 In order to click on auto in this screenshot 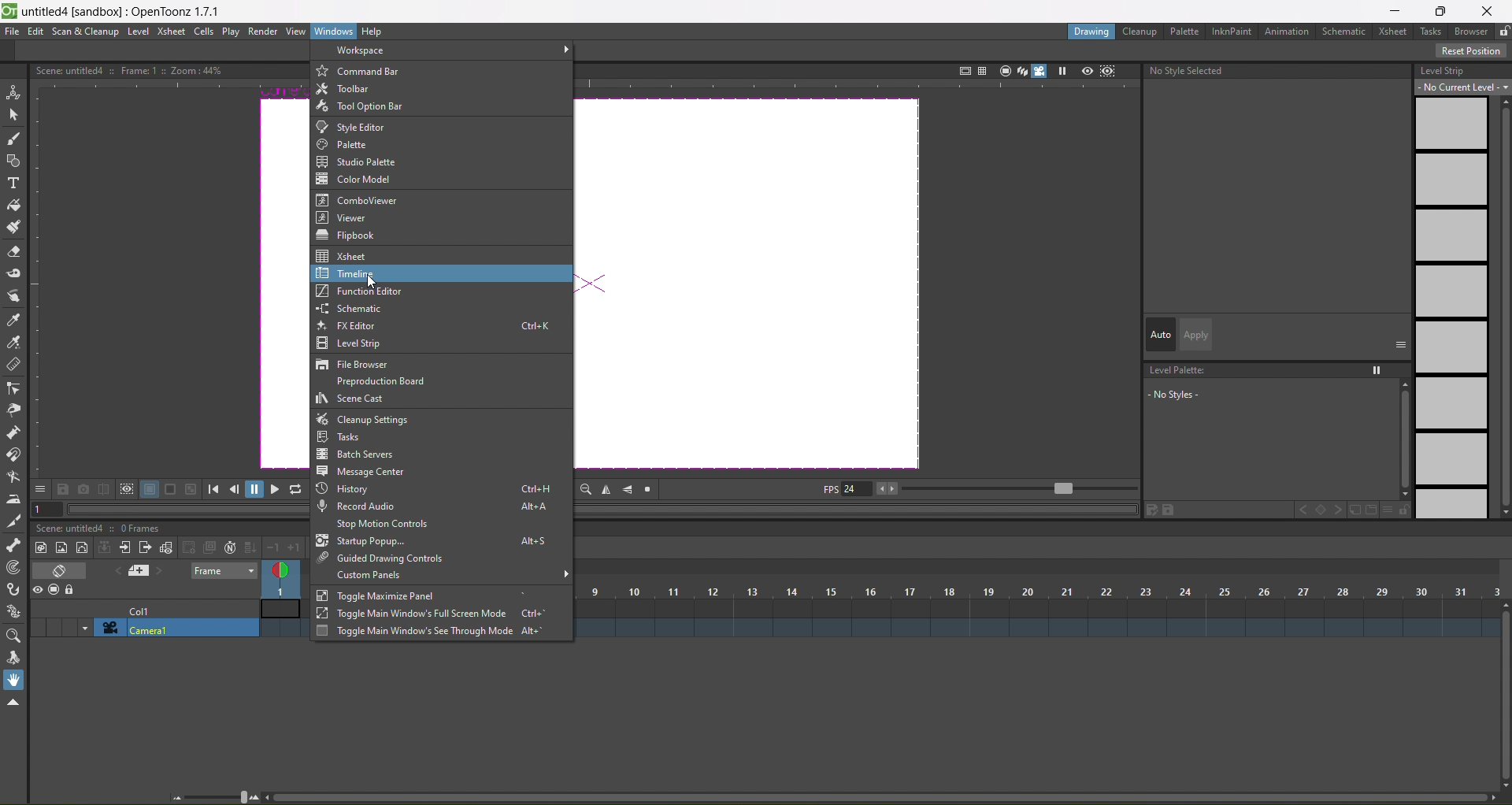, I will do `click(1161, 336)`.